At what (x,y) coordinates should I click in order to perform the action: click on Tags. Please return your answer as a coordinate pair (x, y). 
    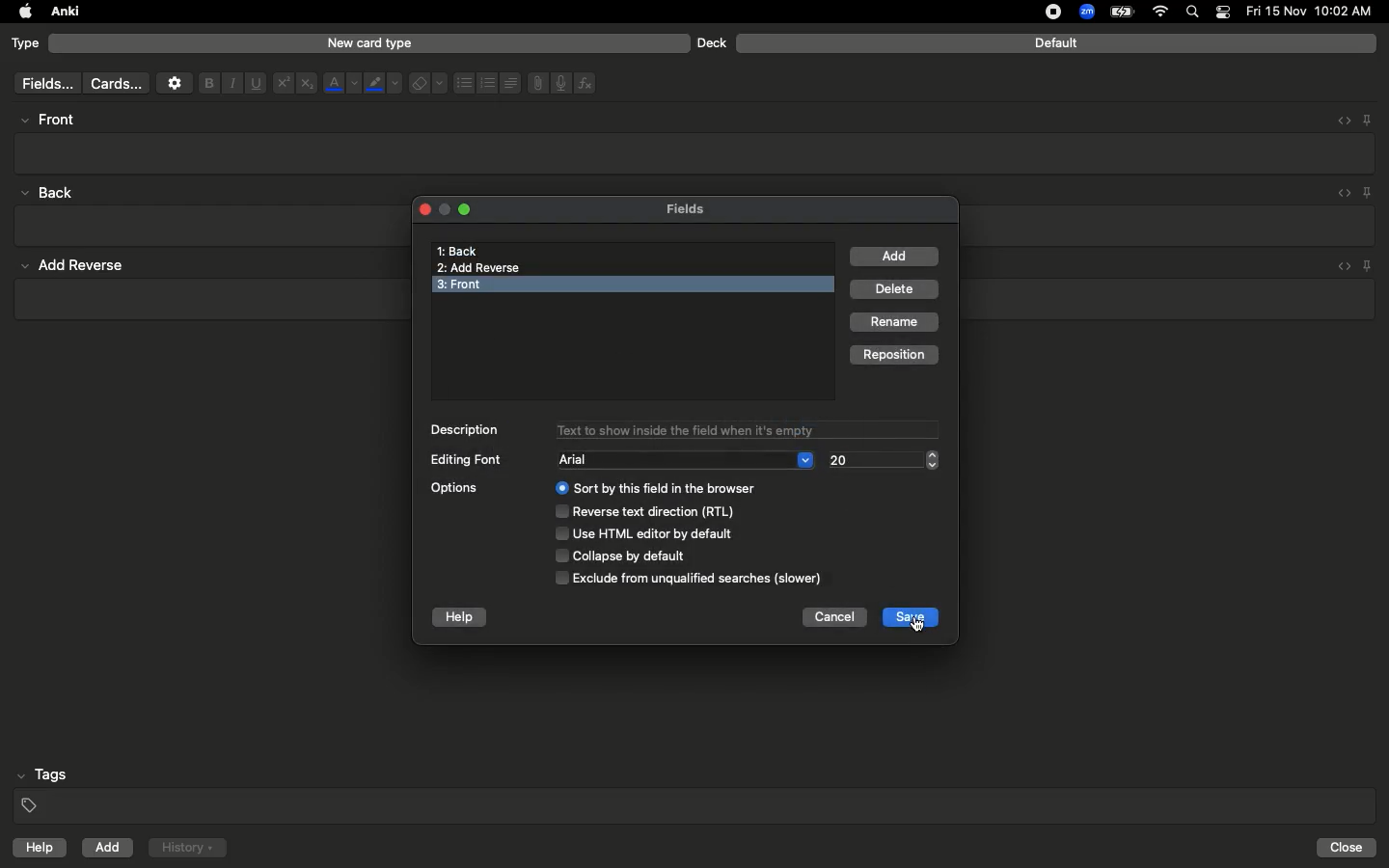
    Looking at the image, I should click on (696, 791).